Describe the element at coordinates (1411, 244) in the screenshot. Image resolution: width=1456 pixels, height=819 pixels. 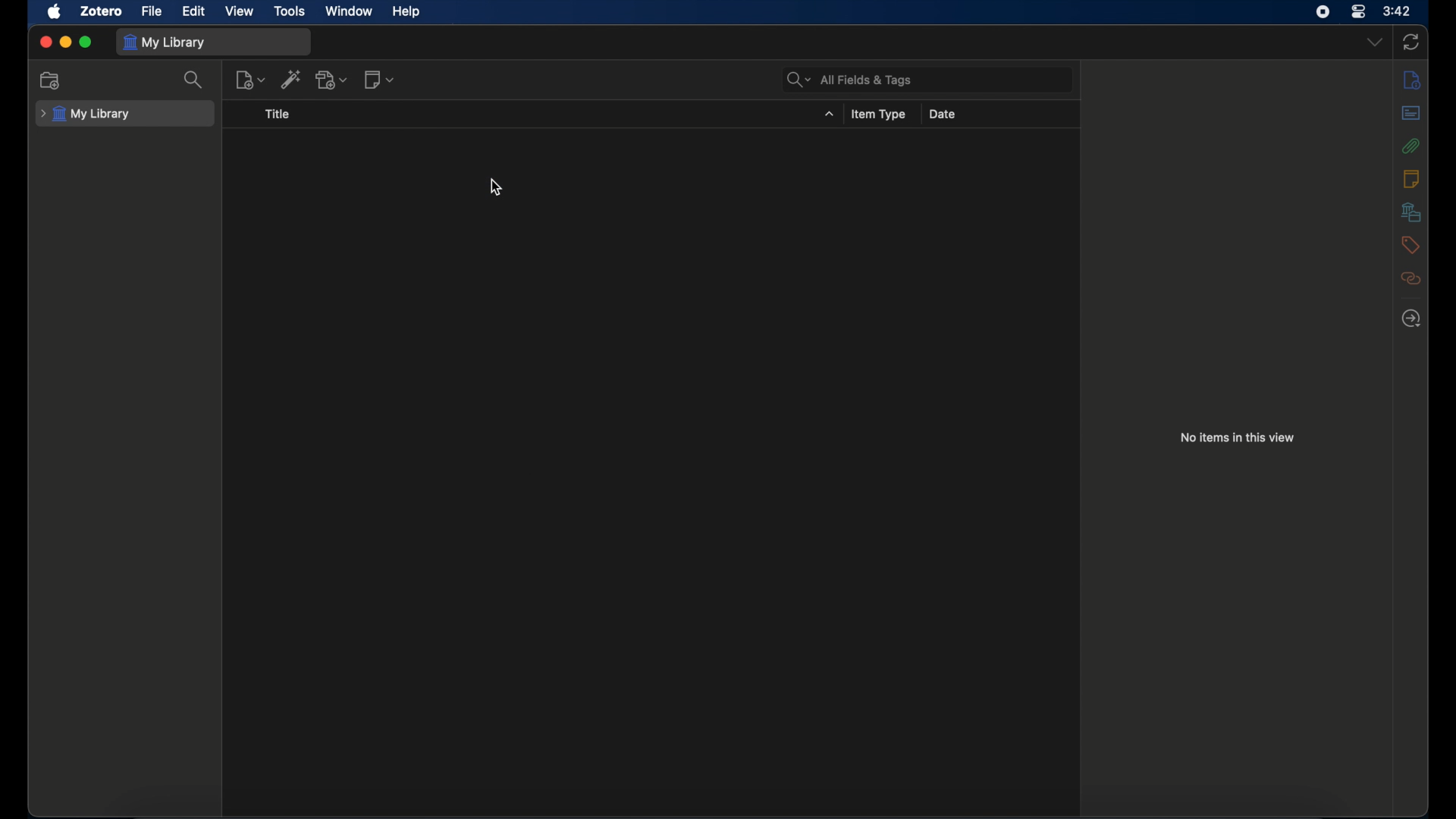
I see `tags` at that location.